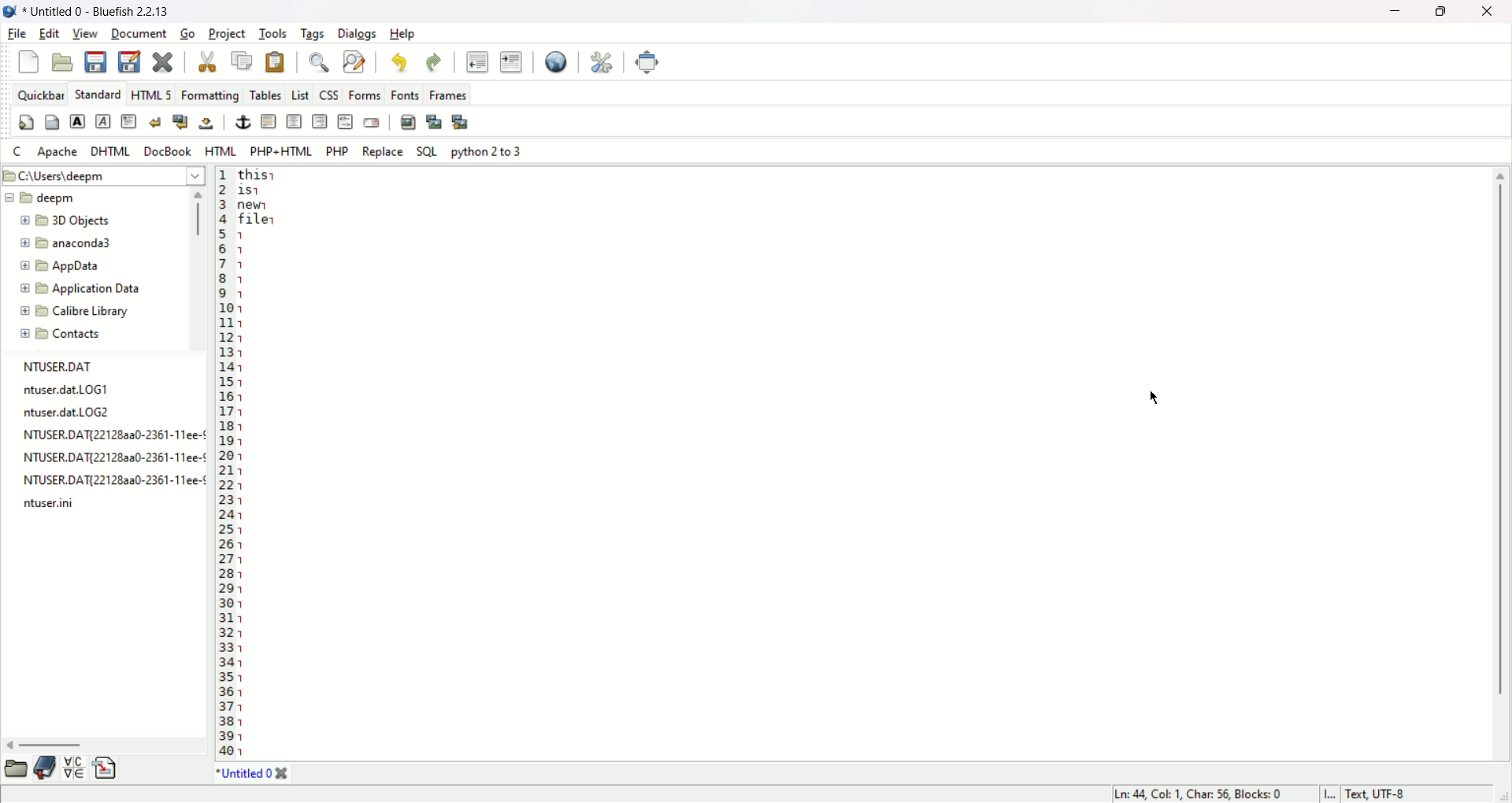 The image size is (1512, 803). Describe the element at coordinates (476, 62) in the screenshot. I see `unindent` at that location.